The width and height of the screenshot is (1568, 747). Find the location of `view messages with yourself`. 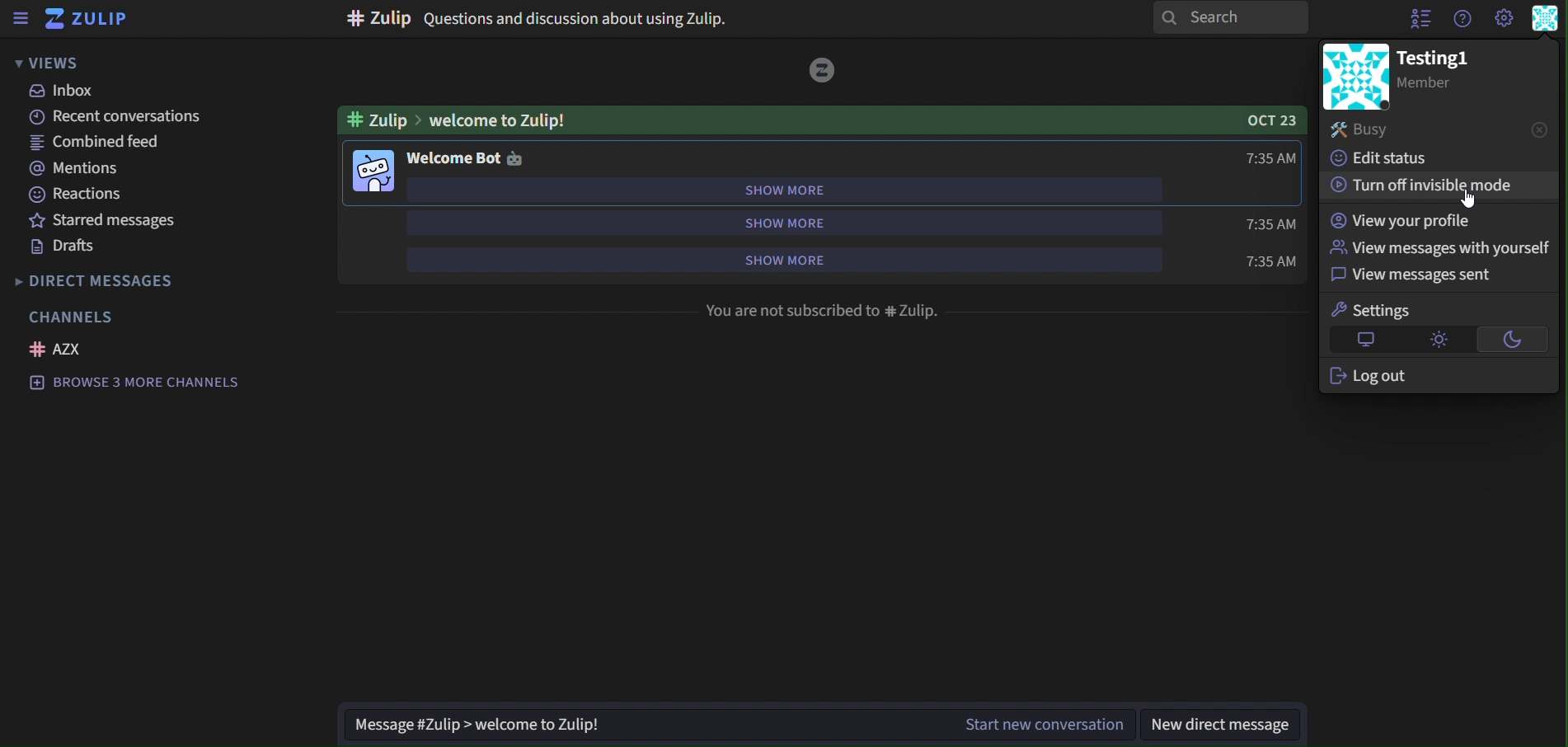

view messages with yourself is located at coordinates (1439, 247).